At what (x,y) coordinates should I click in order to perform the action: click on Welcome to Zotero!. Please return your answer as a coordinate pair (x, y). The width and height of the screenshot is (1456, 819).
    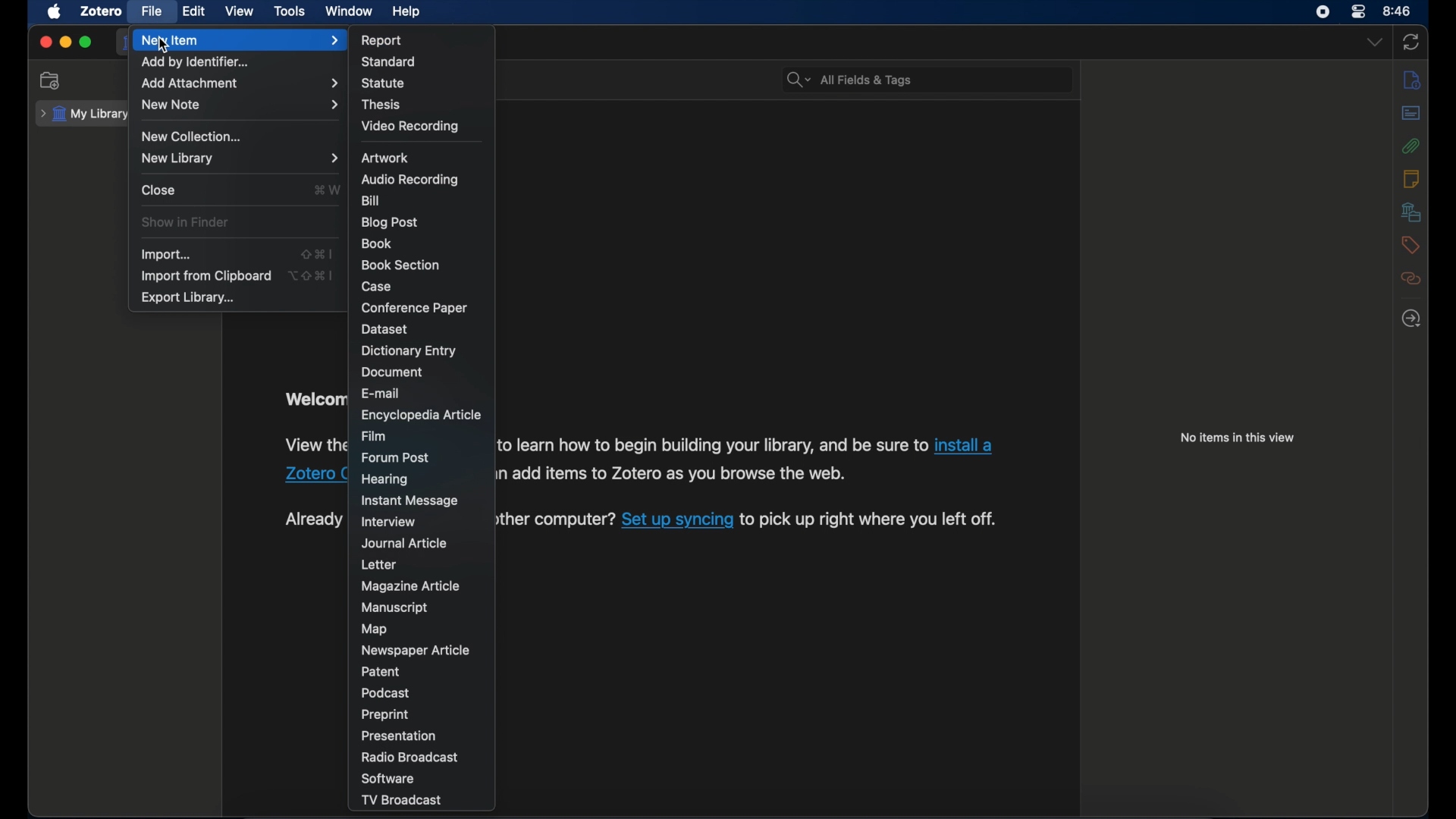
    Looking at the image, I should click on (311, 399).